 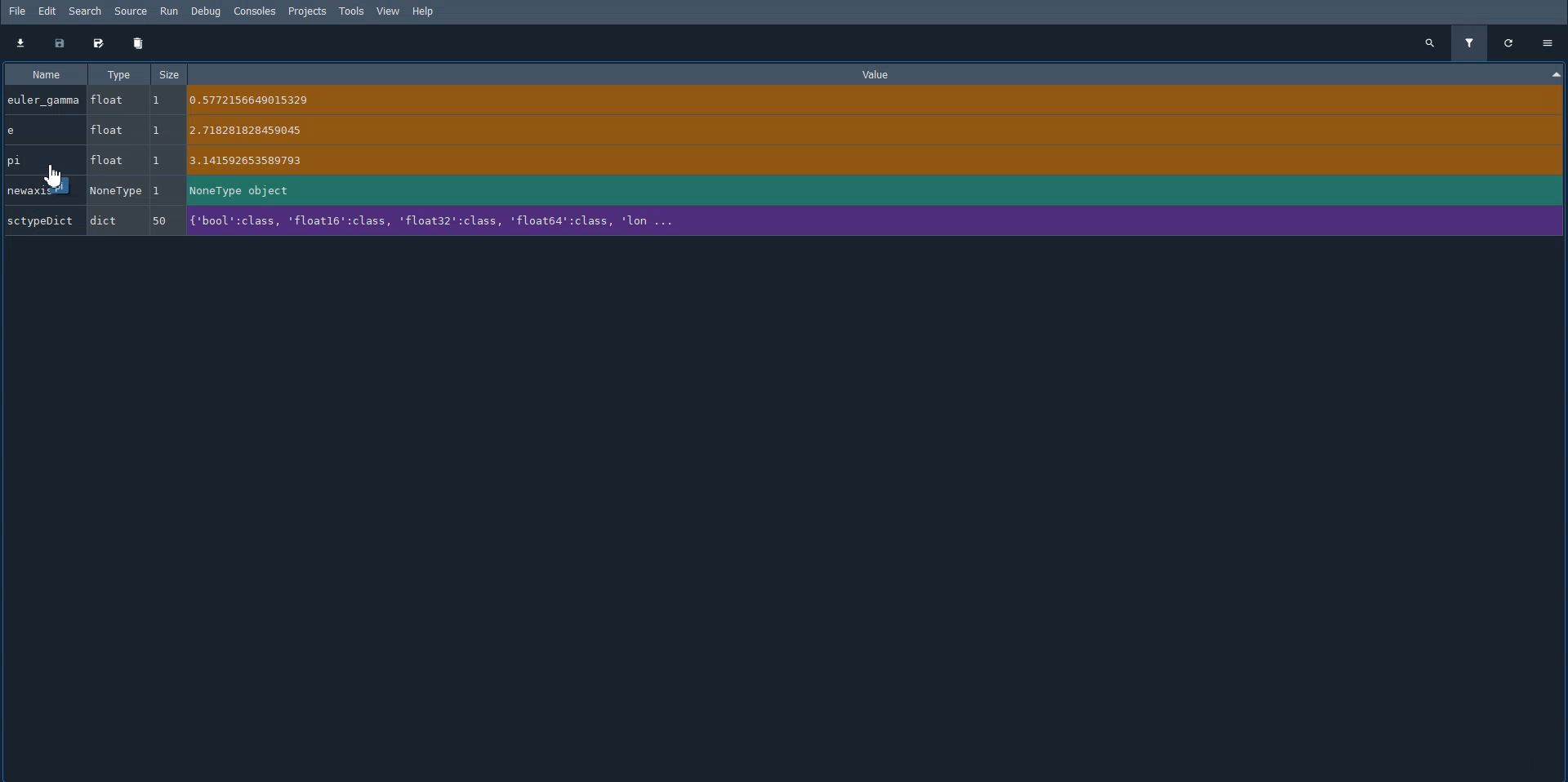 I want to click on Tools, so click(x=352, y=11).